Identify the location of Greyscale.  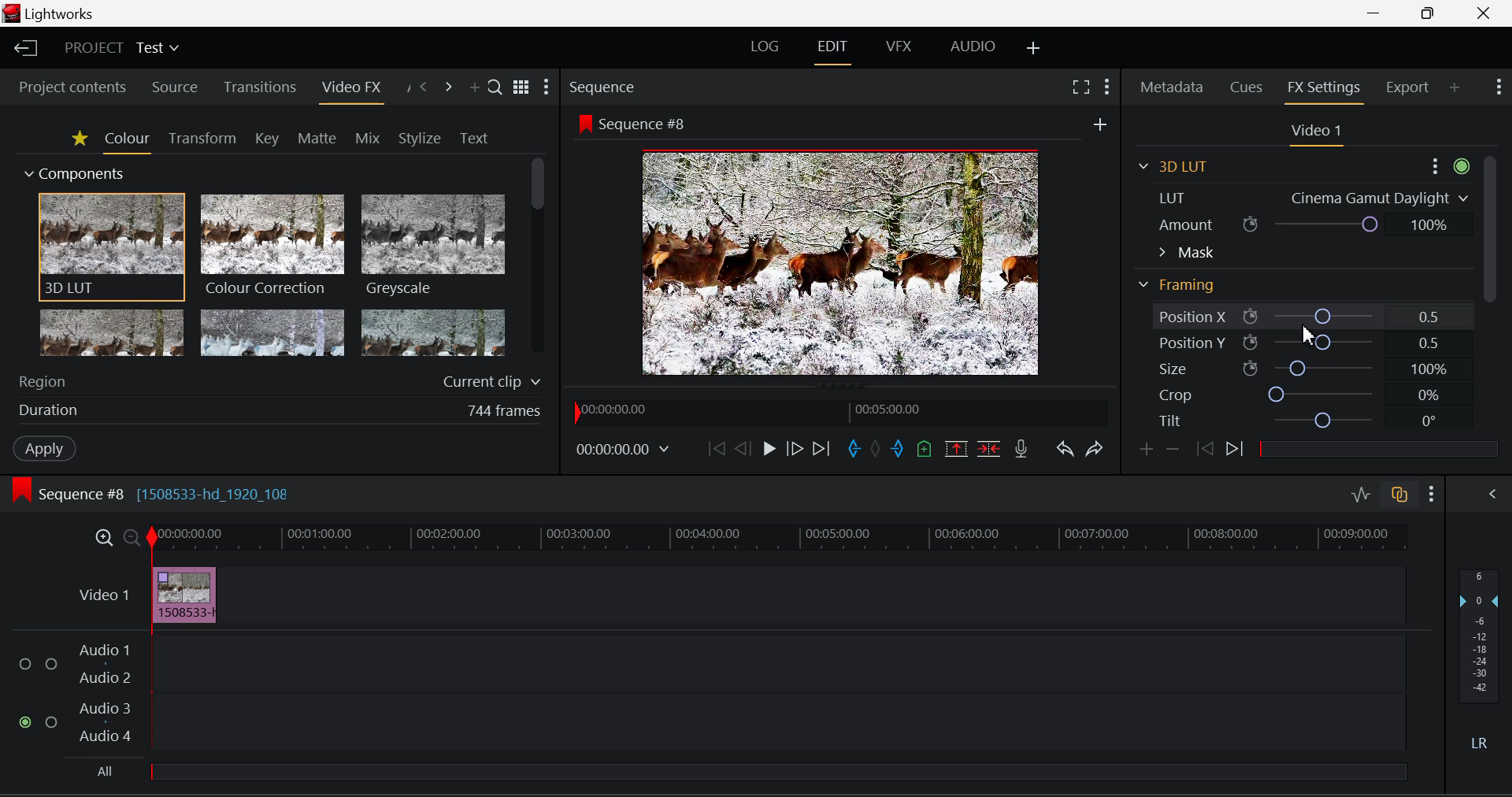
(432, 247).